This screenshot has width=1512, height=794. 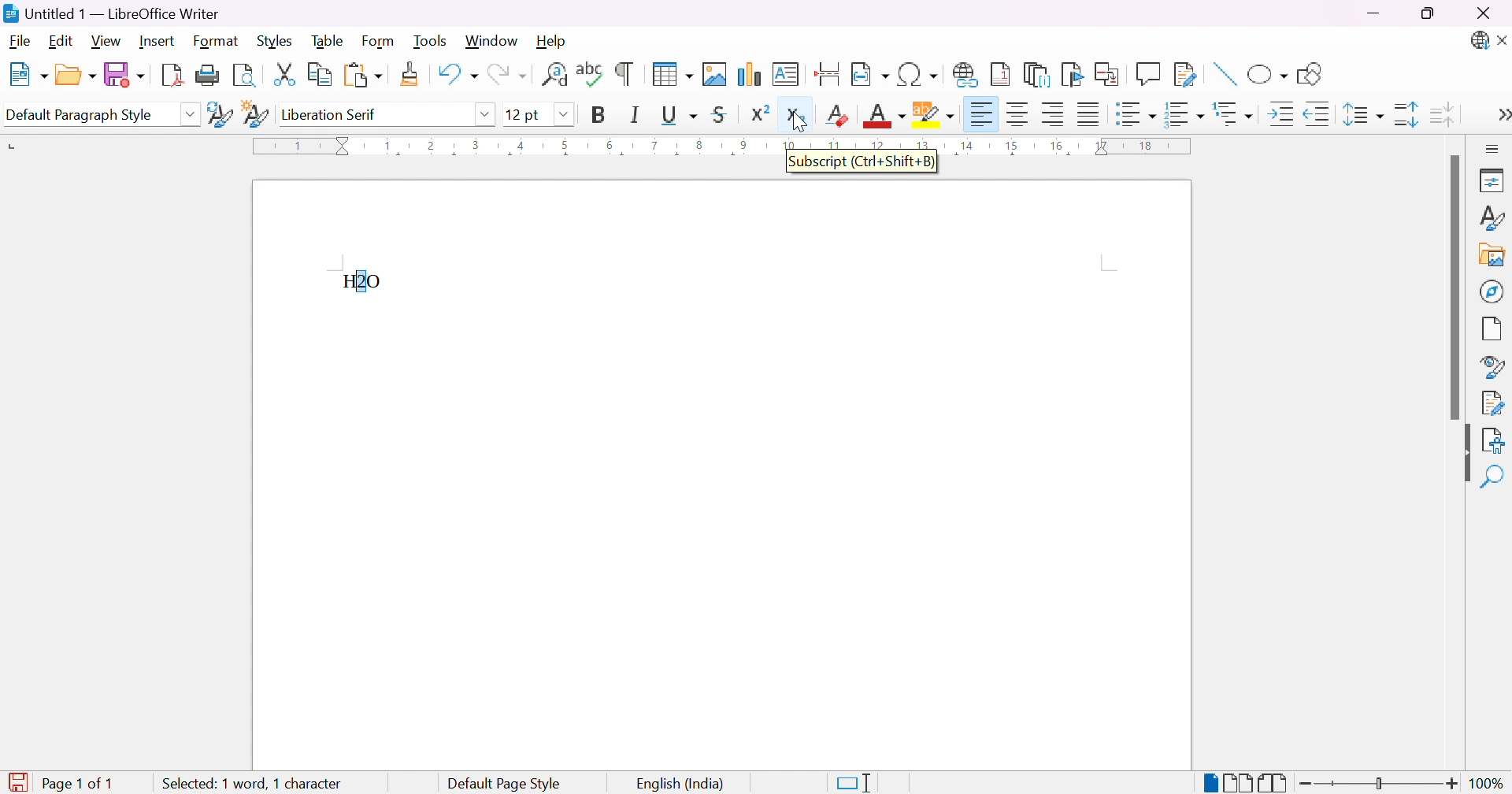 I want to click on Print, so click(x=208, y=76).